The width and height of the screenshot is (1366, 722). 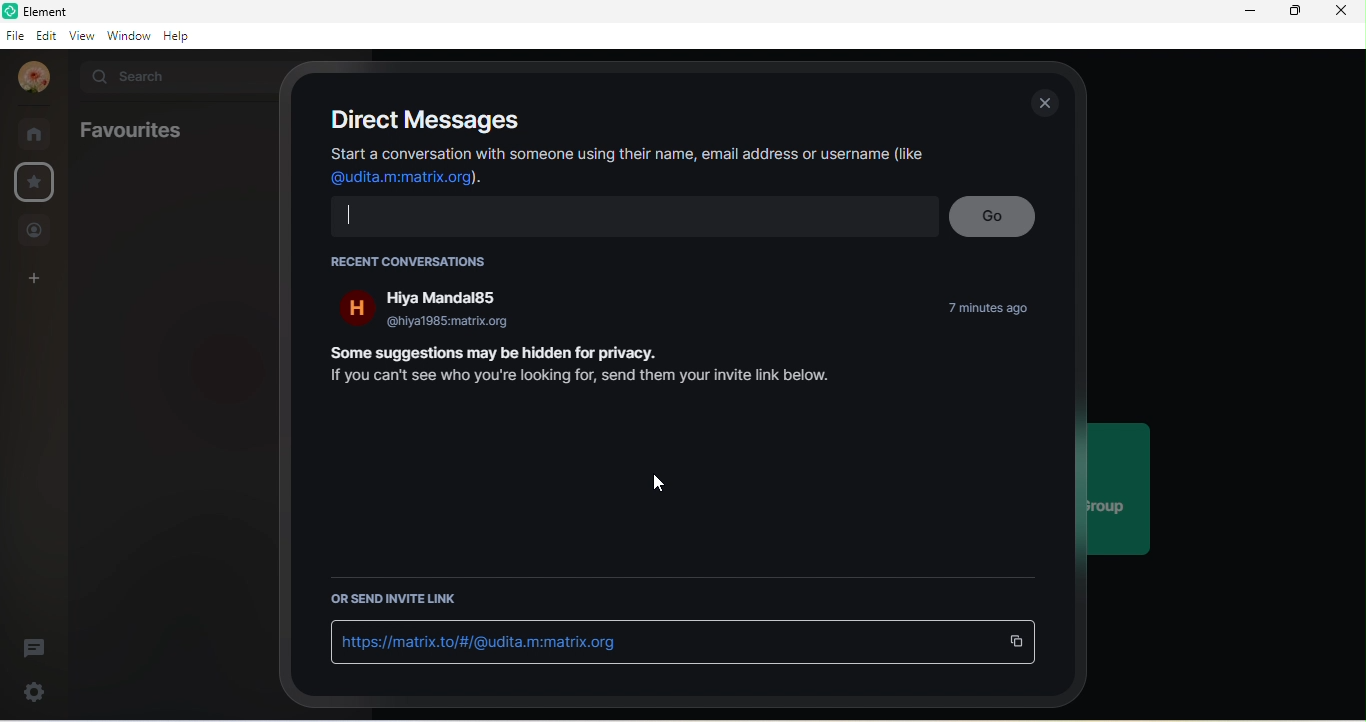 I want to click on or send invite link, so click(x=399, y=601).